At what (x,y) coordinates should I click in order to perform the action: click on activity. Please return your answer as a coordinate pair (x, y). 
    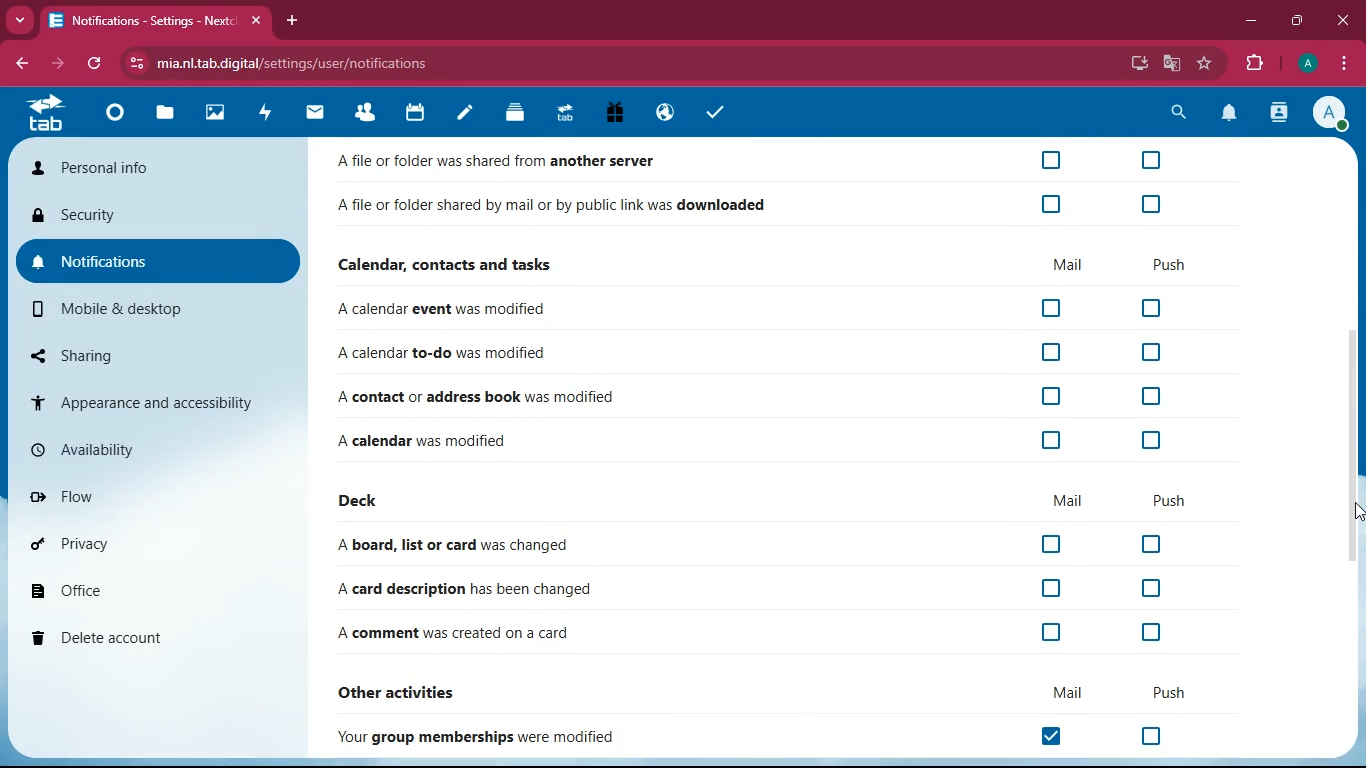
    Looking at the image, I should click on (1280, 112).